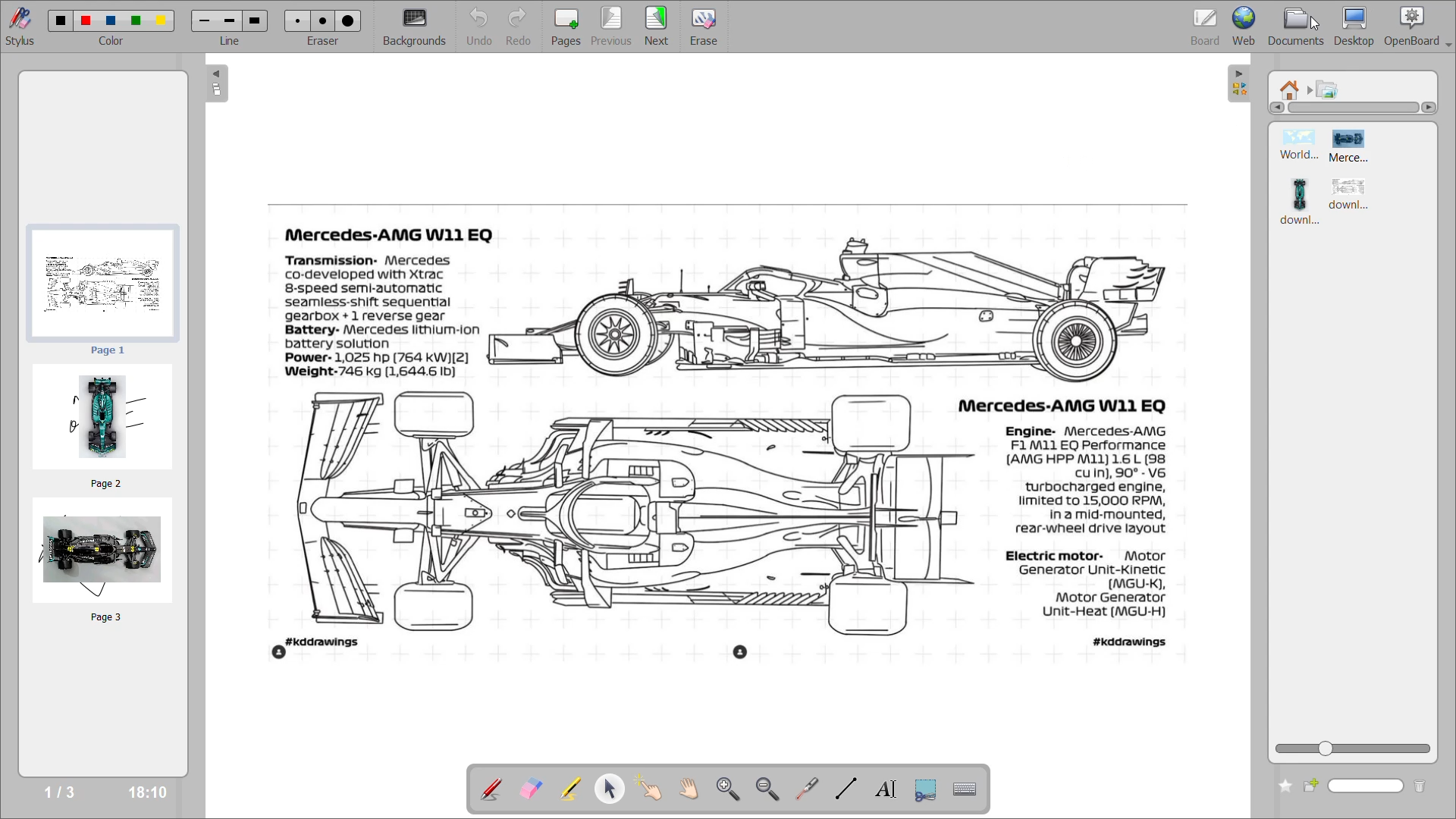 Image resolution: width=1456 pixels, height=819 pixels. I want to click on select and modify objects, so click(615, 790).